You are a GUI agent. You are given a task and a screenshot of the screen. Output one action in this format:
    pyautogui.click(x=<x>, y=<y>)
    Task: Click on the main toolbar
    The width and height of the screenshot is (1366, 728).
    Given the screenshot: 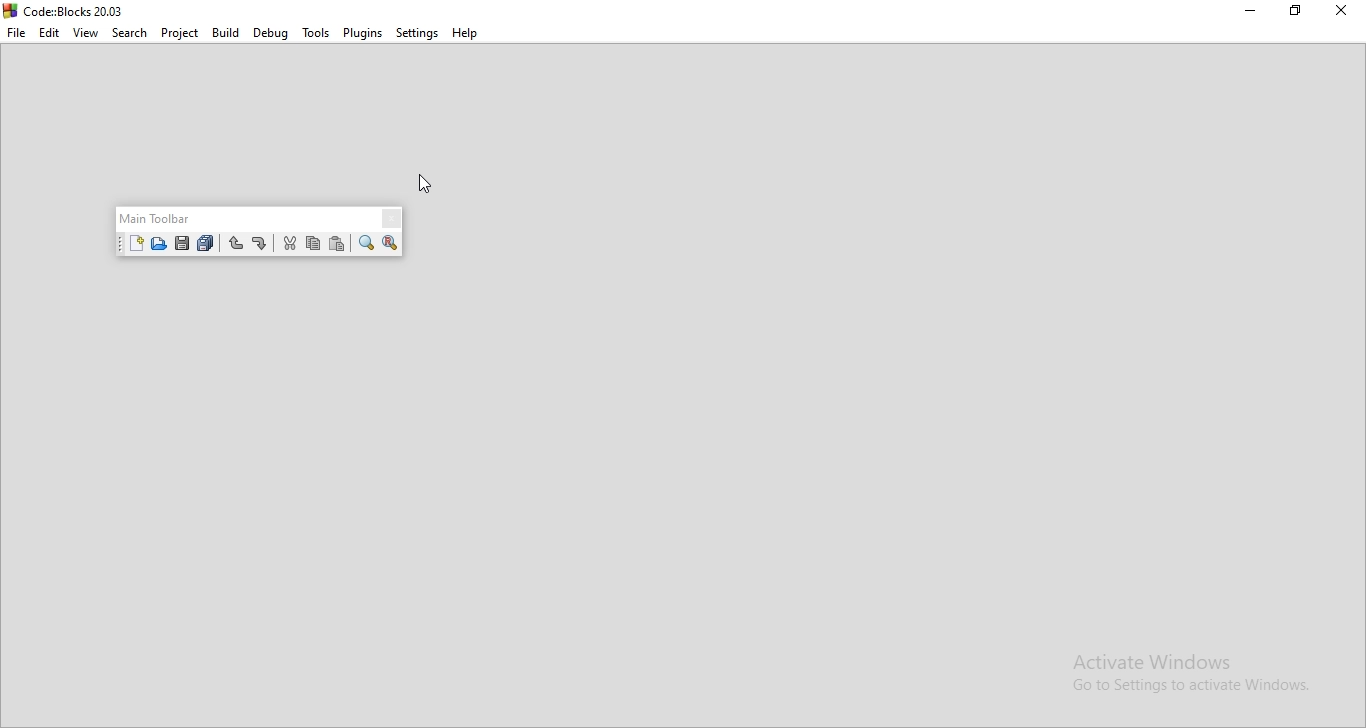 What is the action you would take?
    pyautogui.click(x=157, y=218)
    